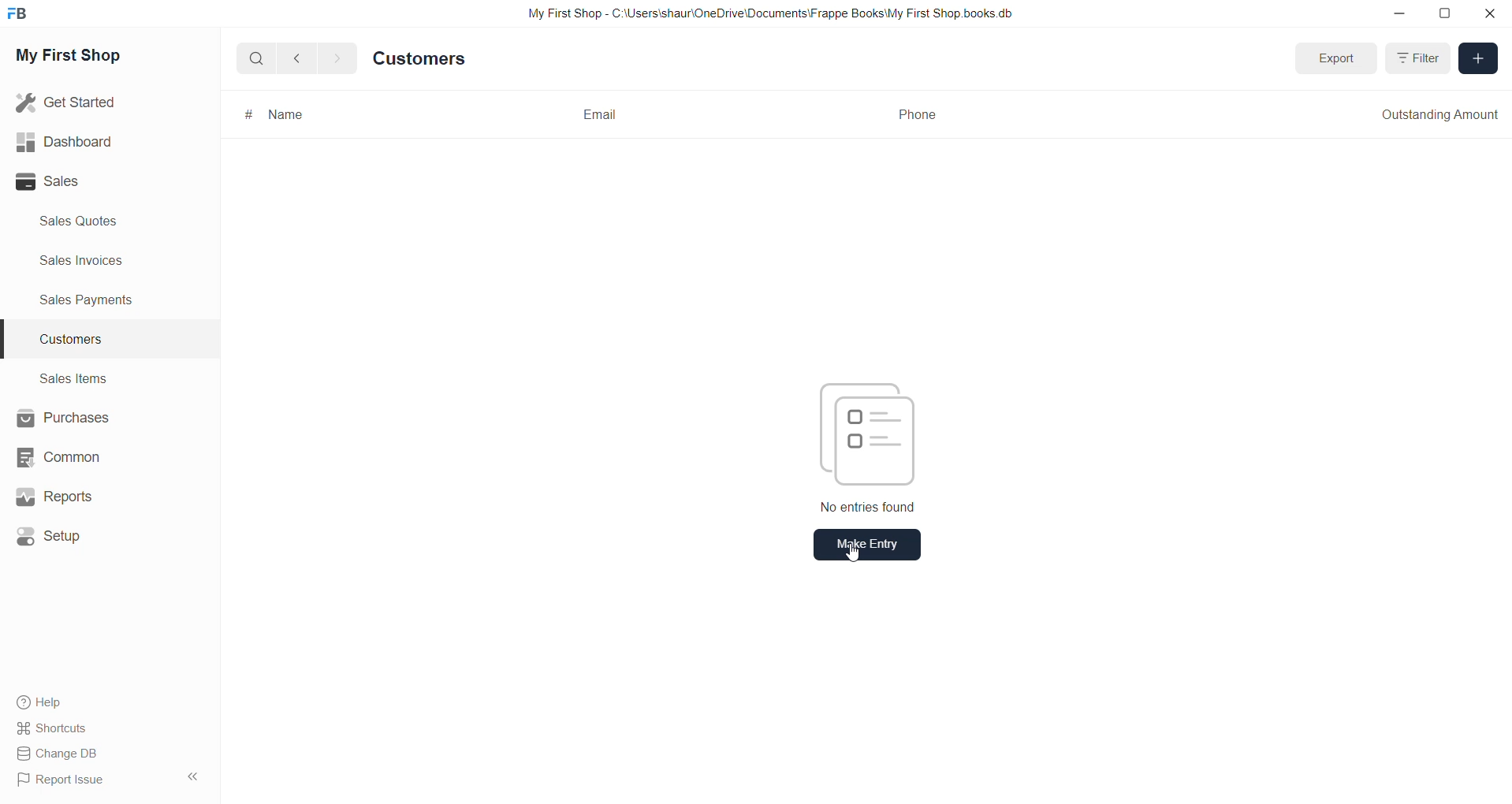 This screenshot has width=1512, height=804. I want to click on sales invoices , so click(80, 262).